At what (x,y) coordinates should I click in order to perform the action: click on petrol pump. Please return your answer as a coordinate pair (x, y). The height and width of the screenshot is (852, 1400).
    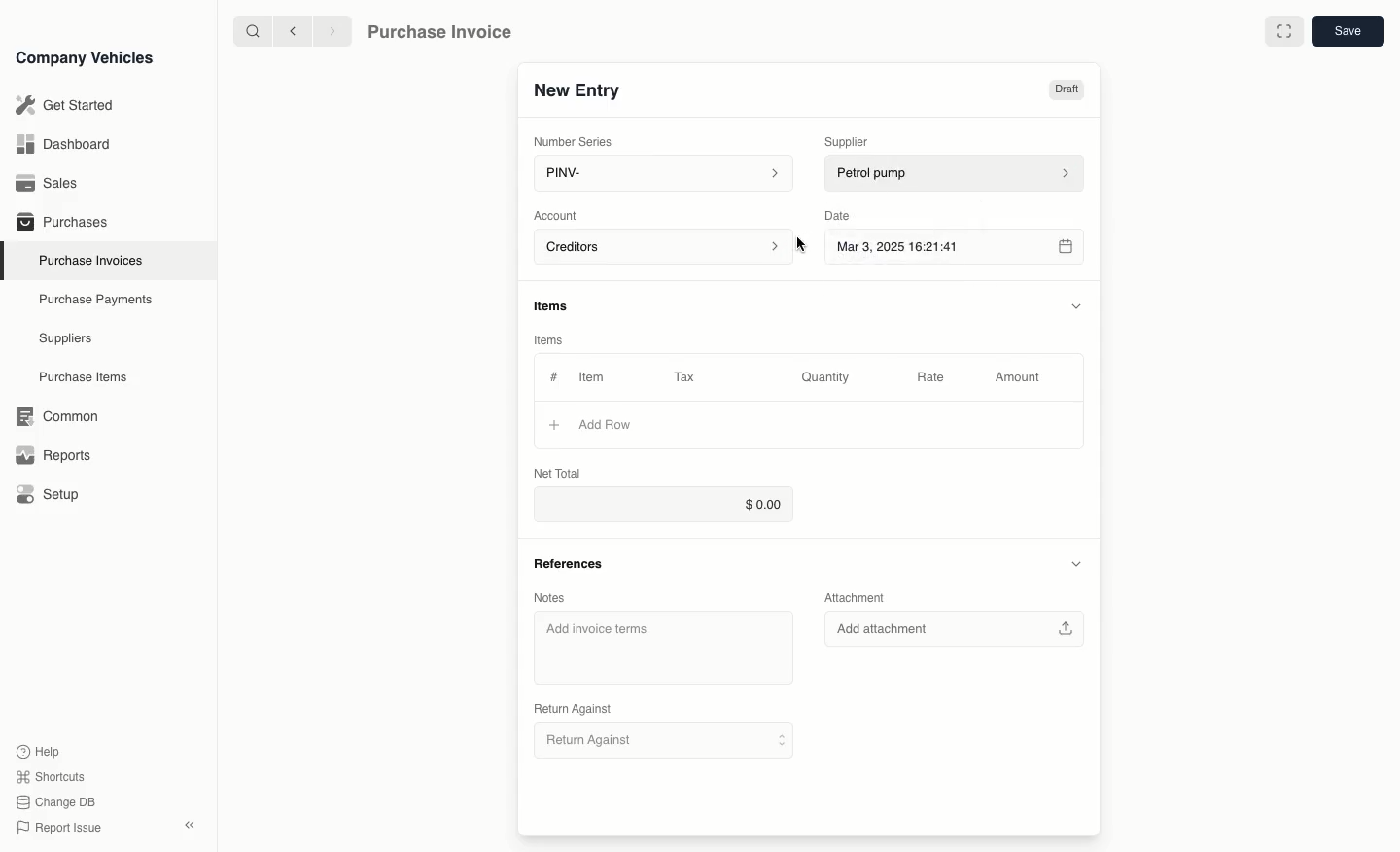
    Looking at the image, I should click on (951, 174).